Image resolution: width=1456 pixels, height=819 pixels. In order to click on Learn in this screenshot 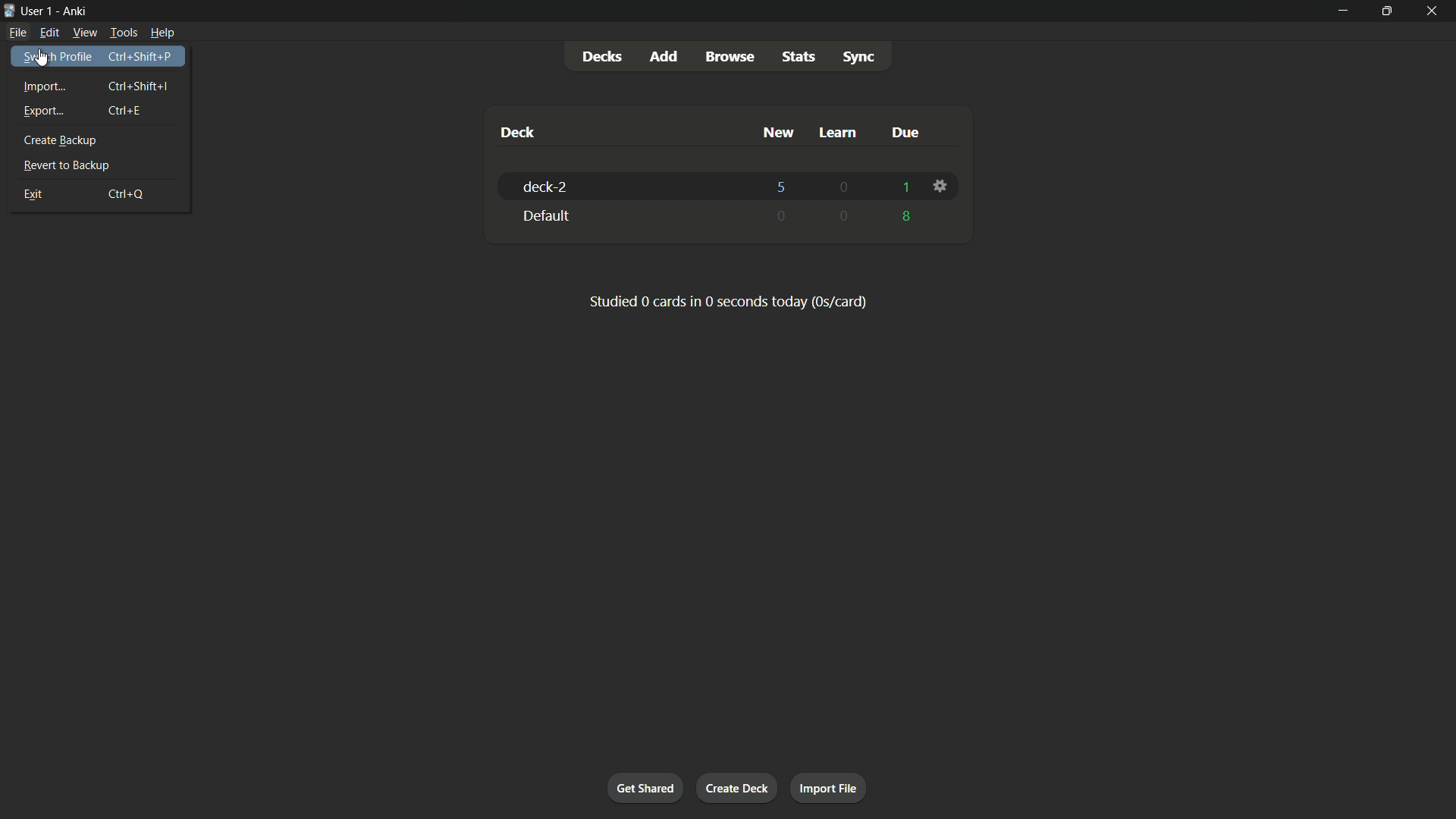, I will do `click(841, 132)`.